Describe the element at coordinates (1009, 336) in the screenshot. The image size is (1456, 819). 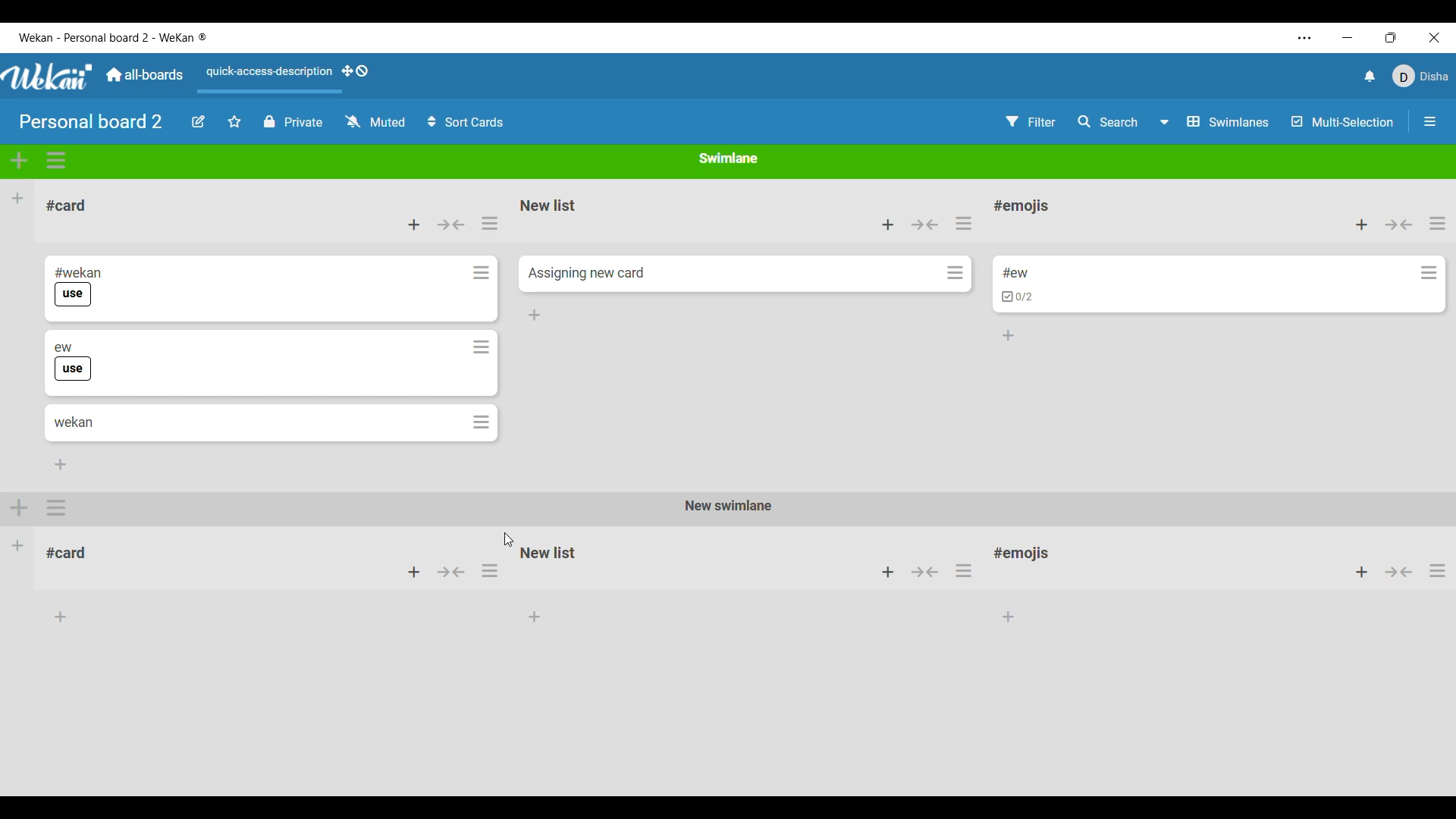
I see `Add card to bottom of list` at that location.